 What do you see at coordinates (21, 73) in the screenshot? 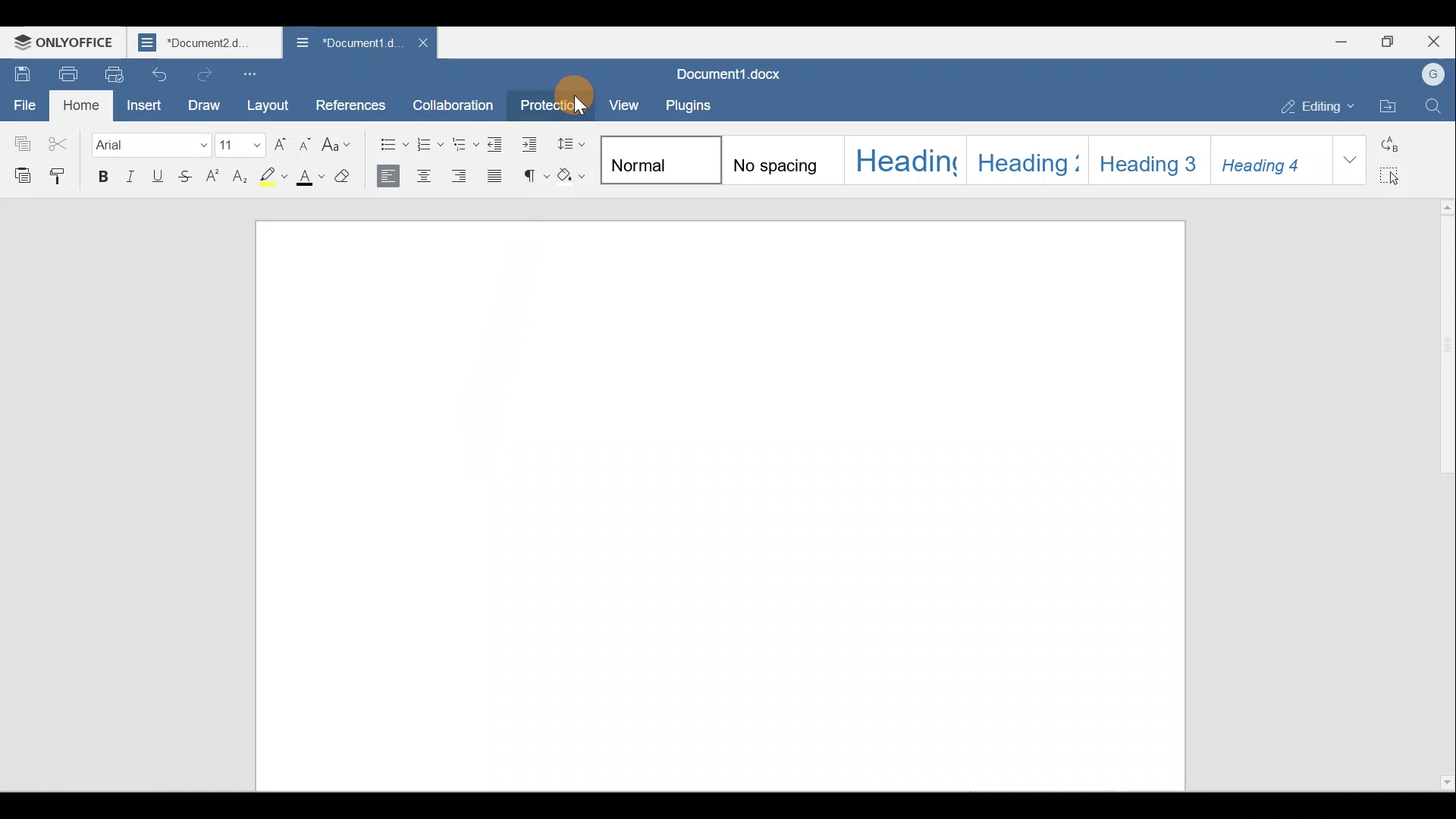
I see `Save` at bounding box center [21, 73].